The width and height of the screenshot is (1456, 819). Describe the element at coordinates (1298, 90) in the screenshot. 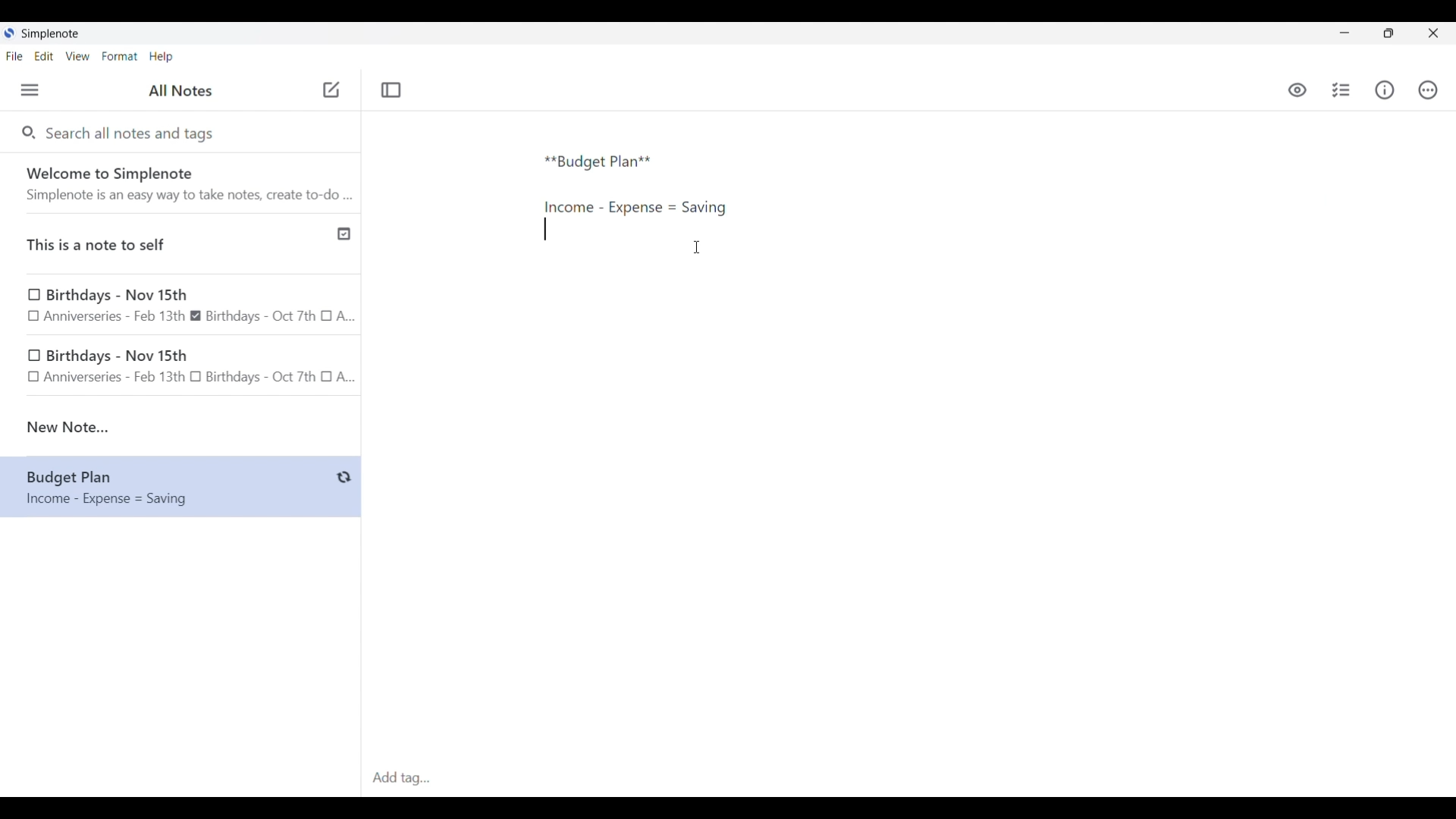

I see `Toggle to see markdown preview` at that location.